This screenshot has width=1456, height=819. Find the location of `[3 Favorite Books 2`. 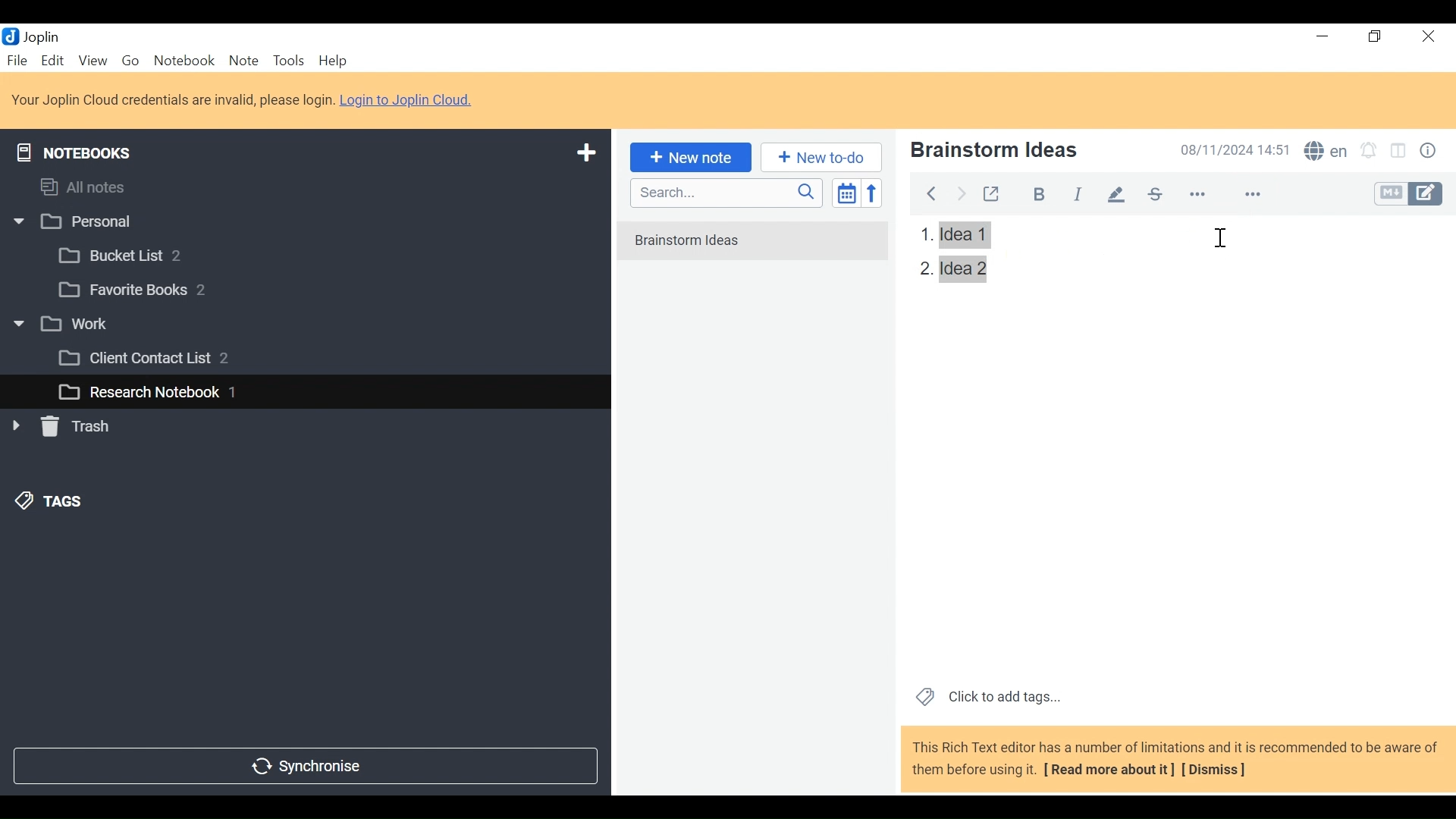

[3 Favorite Books 2 is located at coordinates (145, 290).